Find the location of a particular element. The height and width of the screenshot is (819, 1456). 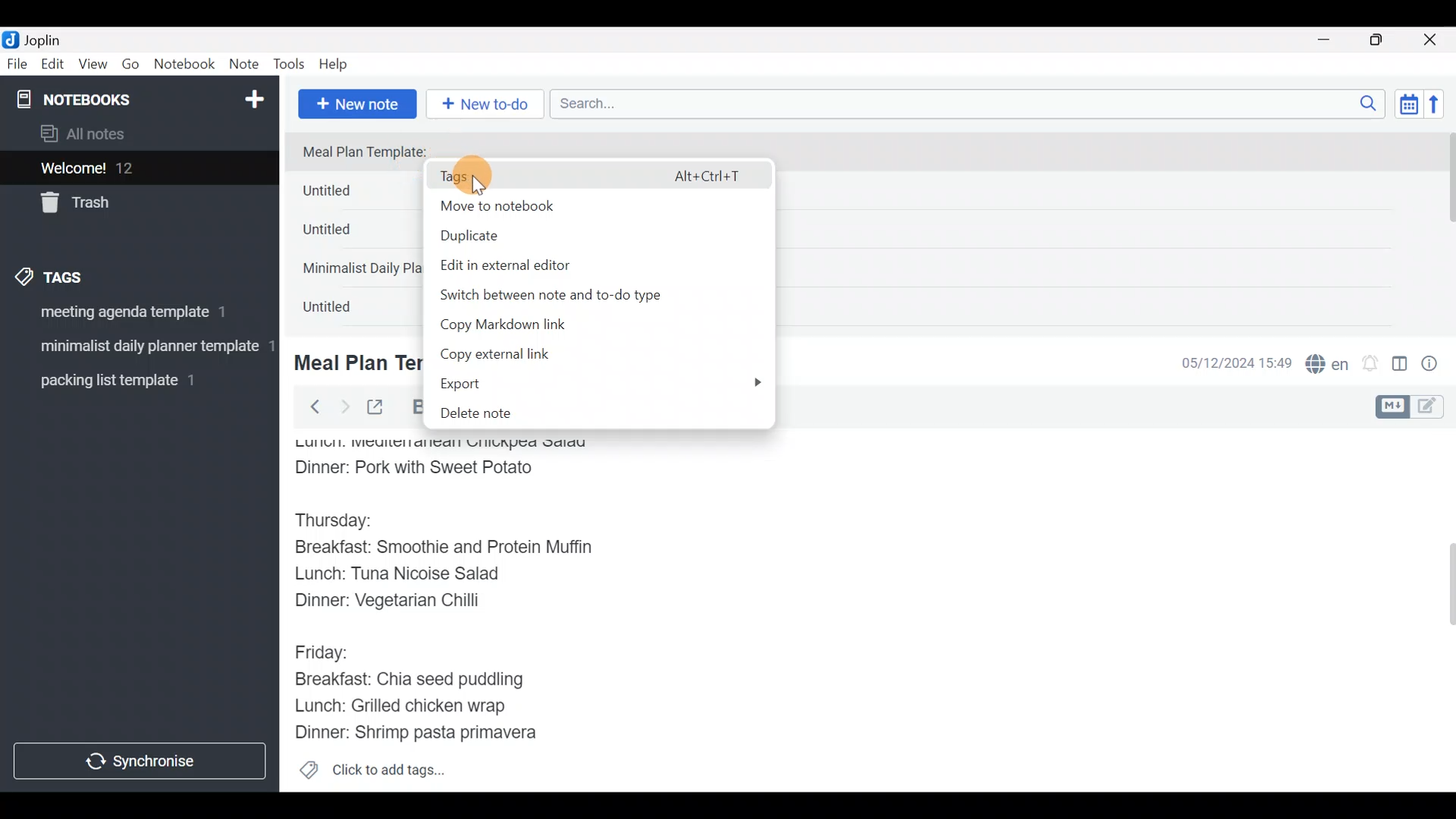

scroll bar is located at coordinates (1446, 229).